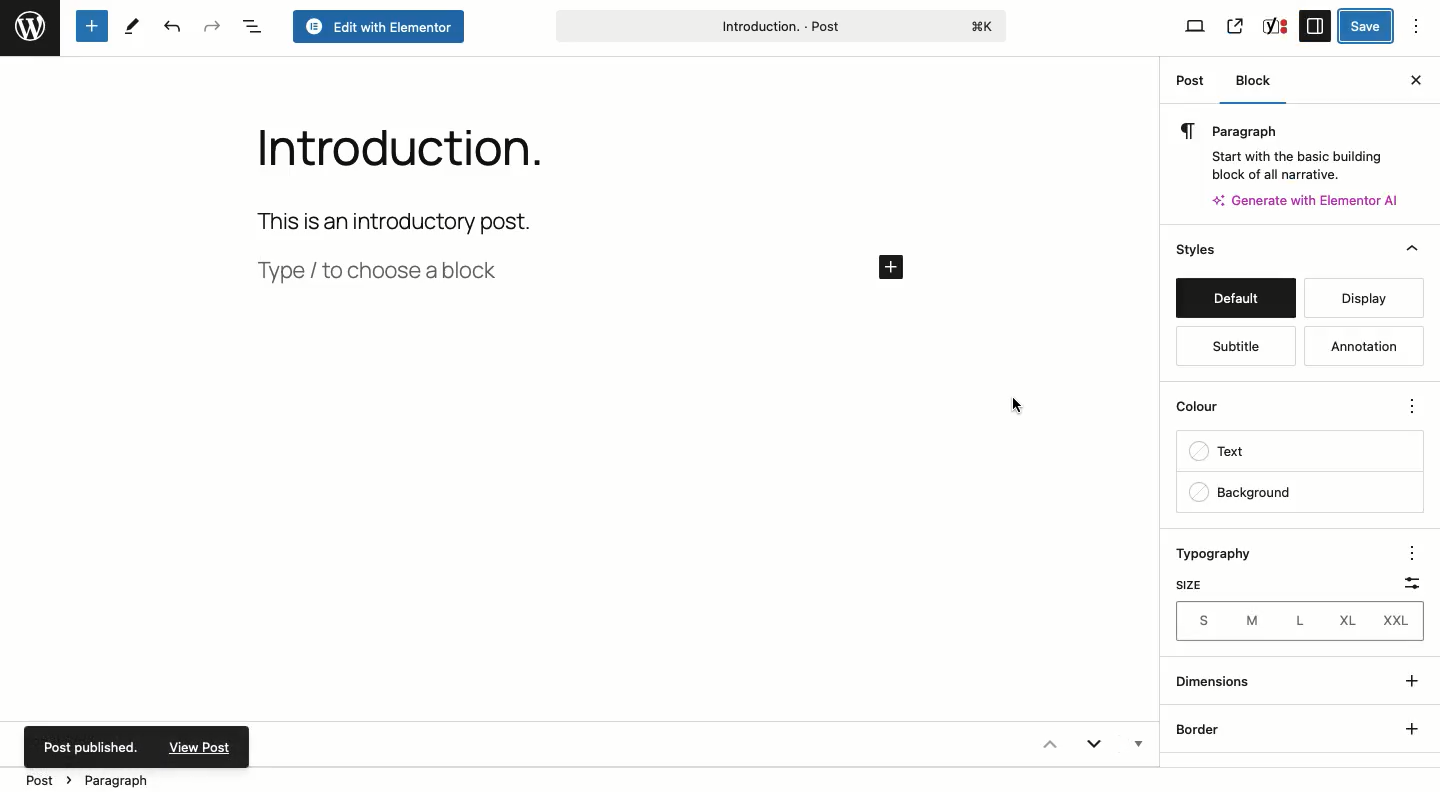  Describe the element at coordinates (1367, 27) in the screenshot. I see `Save` at that location.